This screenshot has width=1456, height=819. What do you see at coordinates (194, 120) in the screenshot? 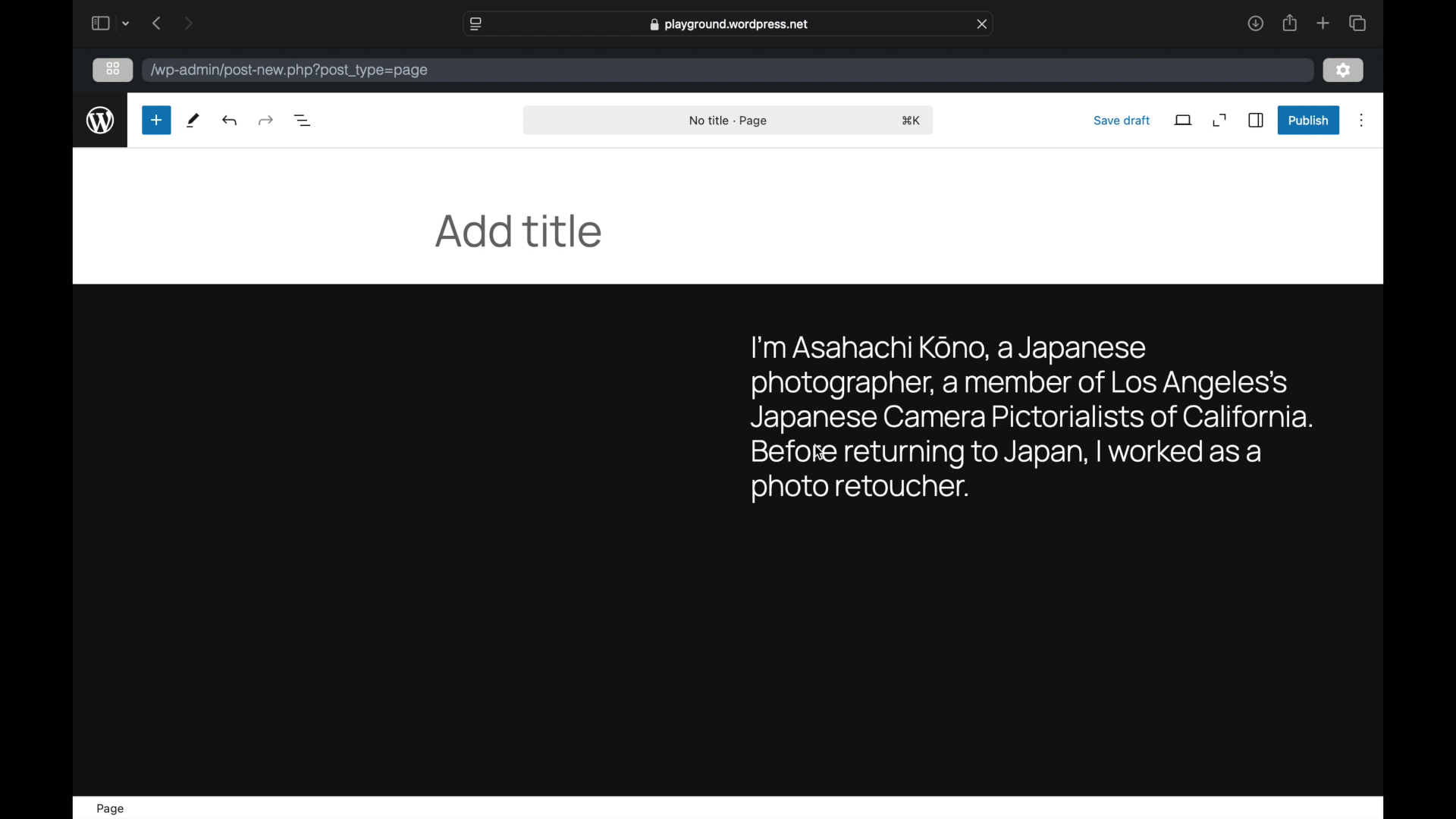
I see `tools` at bounding box center [194, 120].